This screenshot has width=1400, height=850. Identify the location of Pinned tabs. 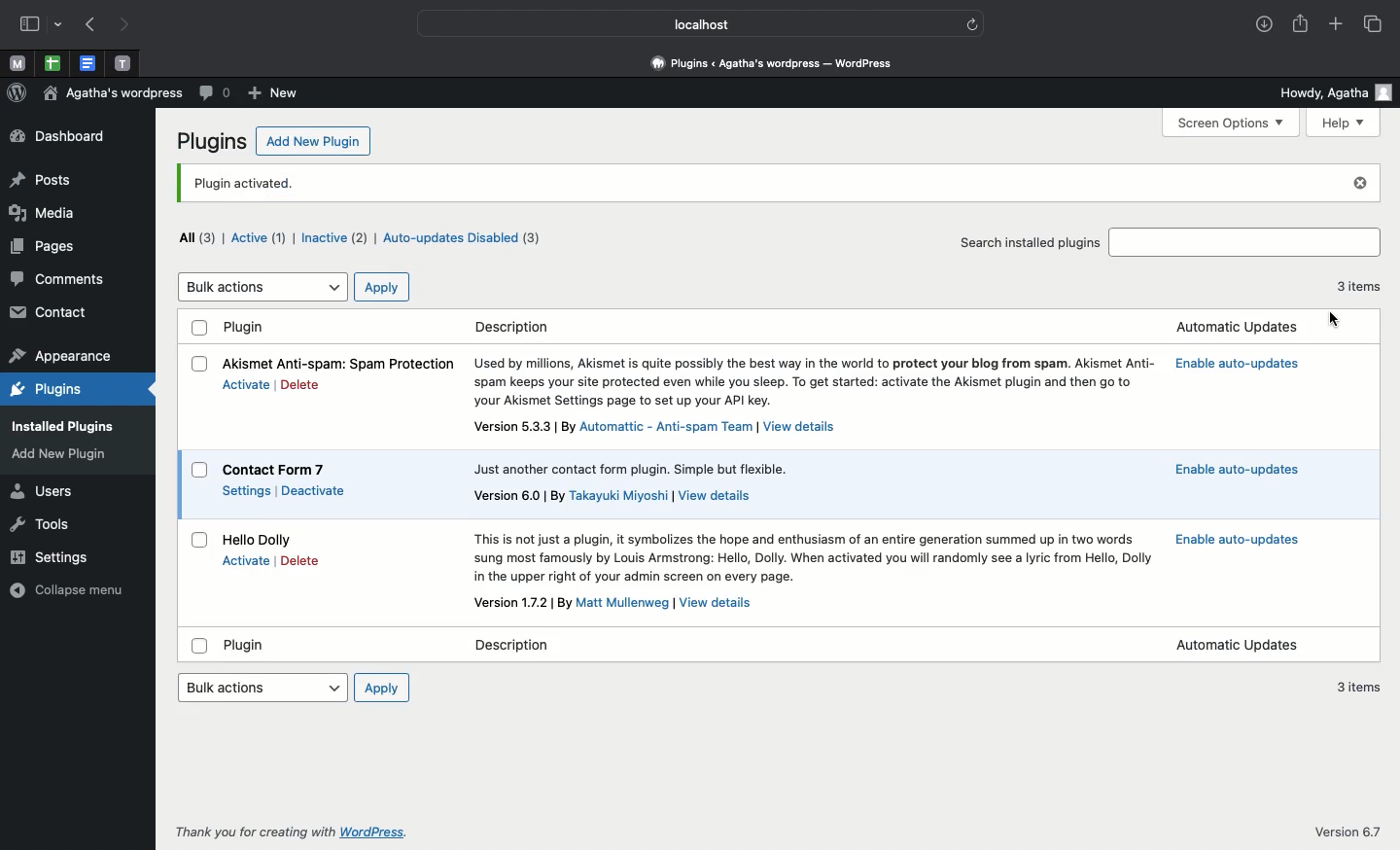
(125, 63).